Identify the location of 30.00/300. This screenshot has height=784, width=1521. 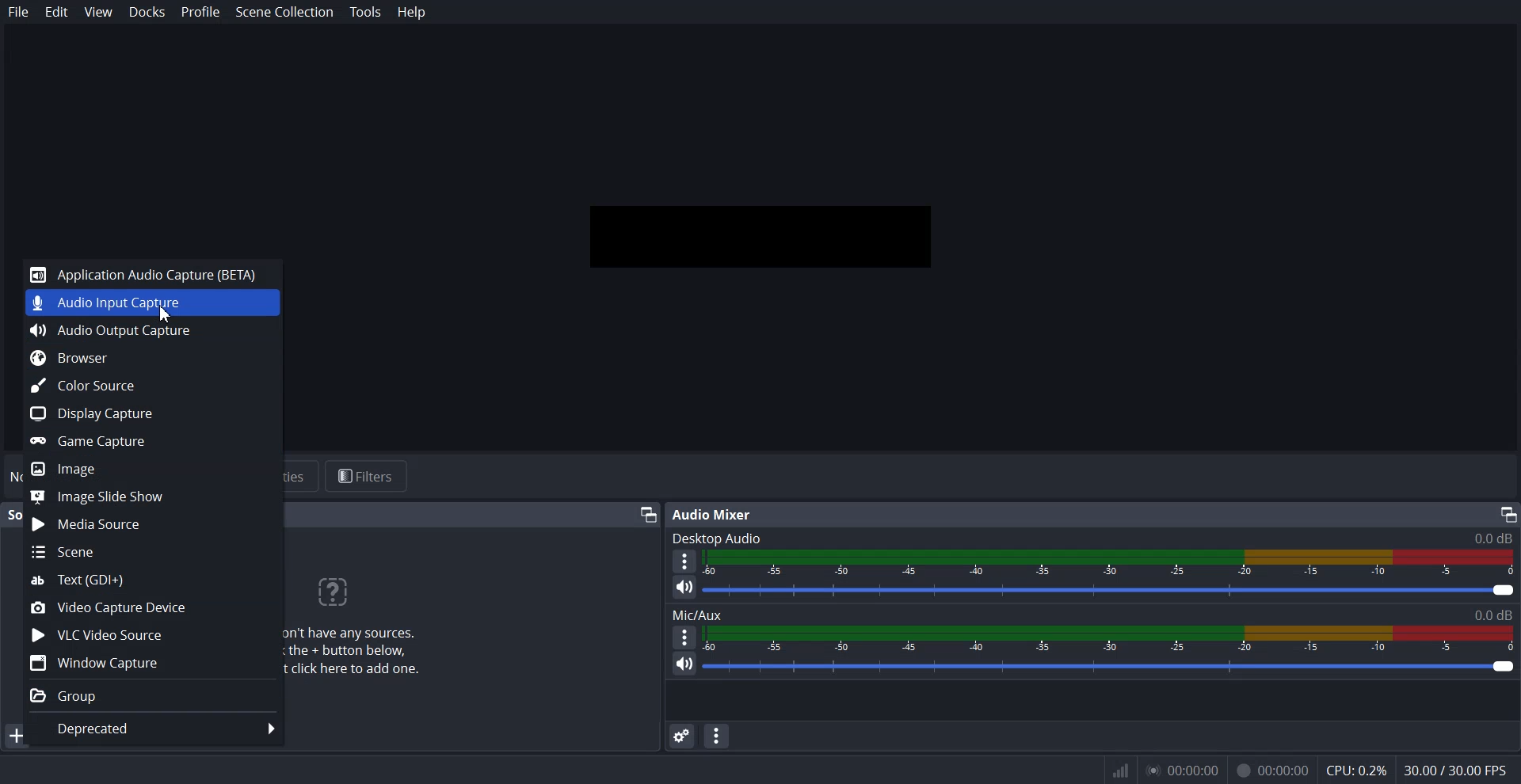
(1461, 771).